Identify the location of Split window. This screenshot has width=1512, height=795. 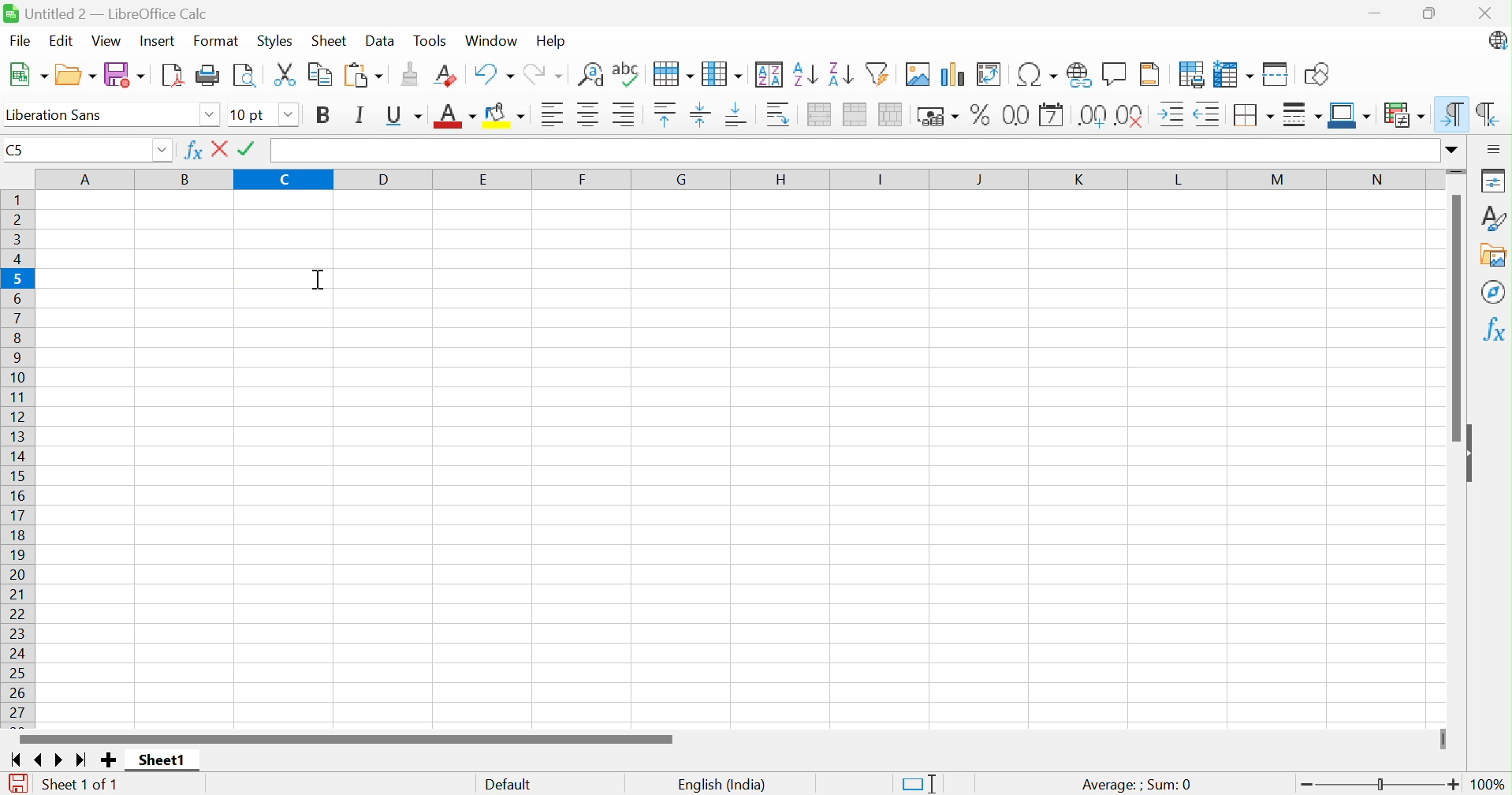
(1277, 74).